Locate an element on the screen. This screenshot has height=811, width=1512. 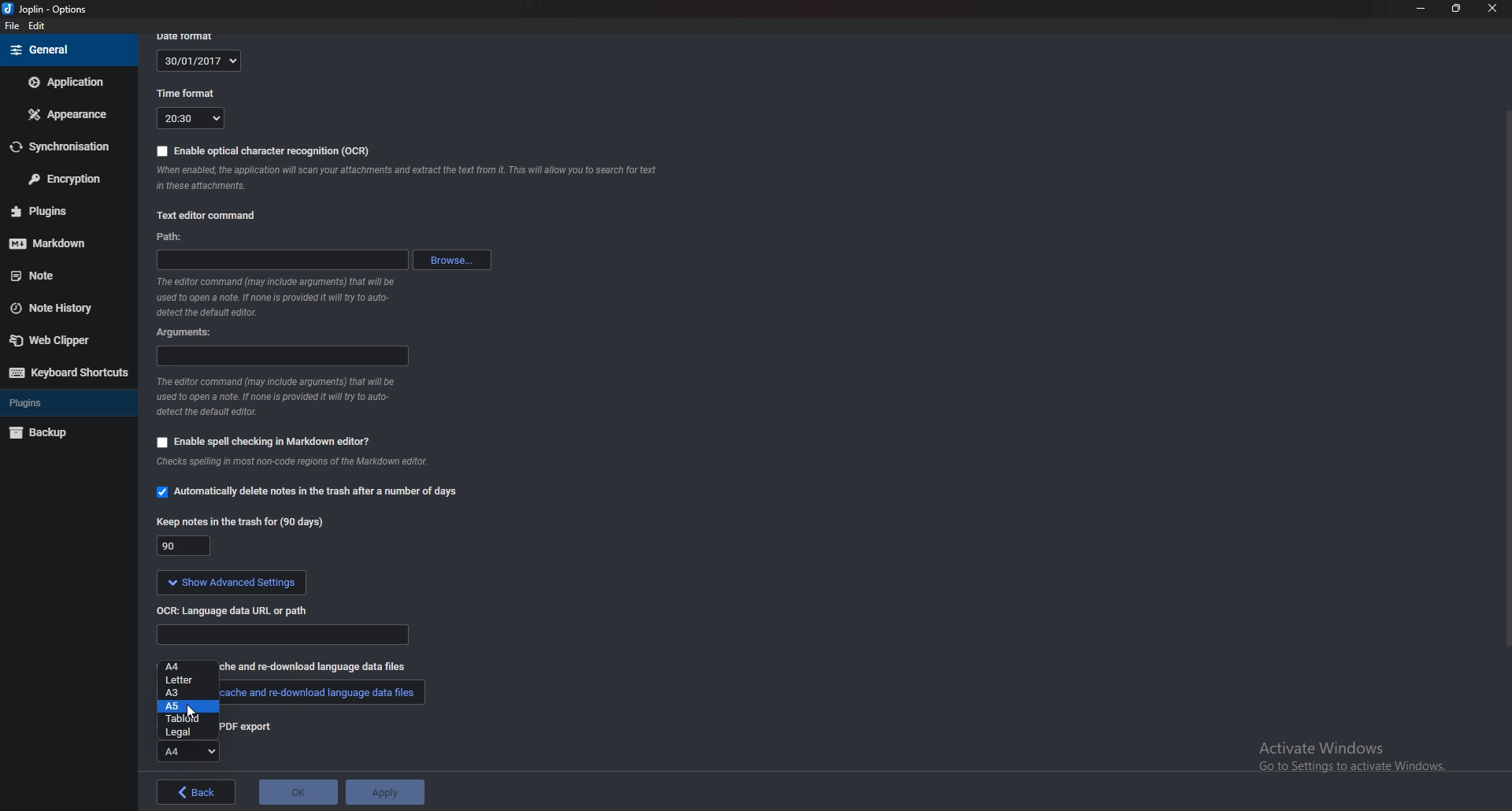
Info on spell check is located at coordinates (292, 462).